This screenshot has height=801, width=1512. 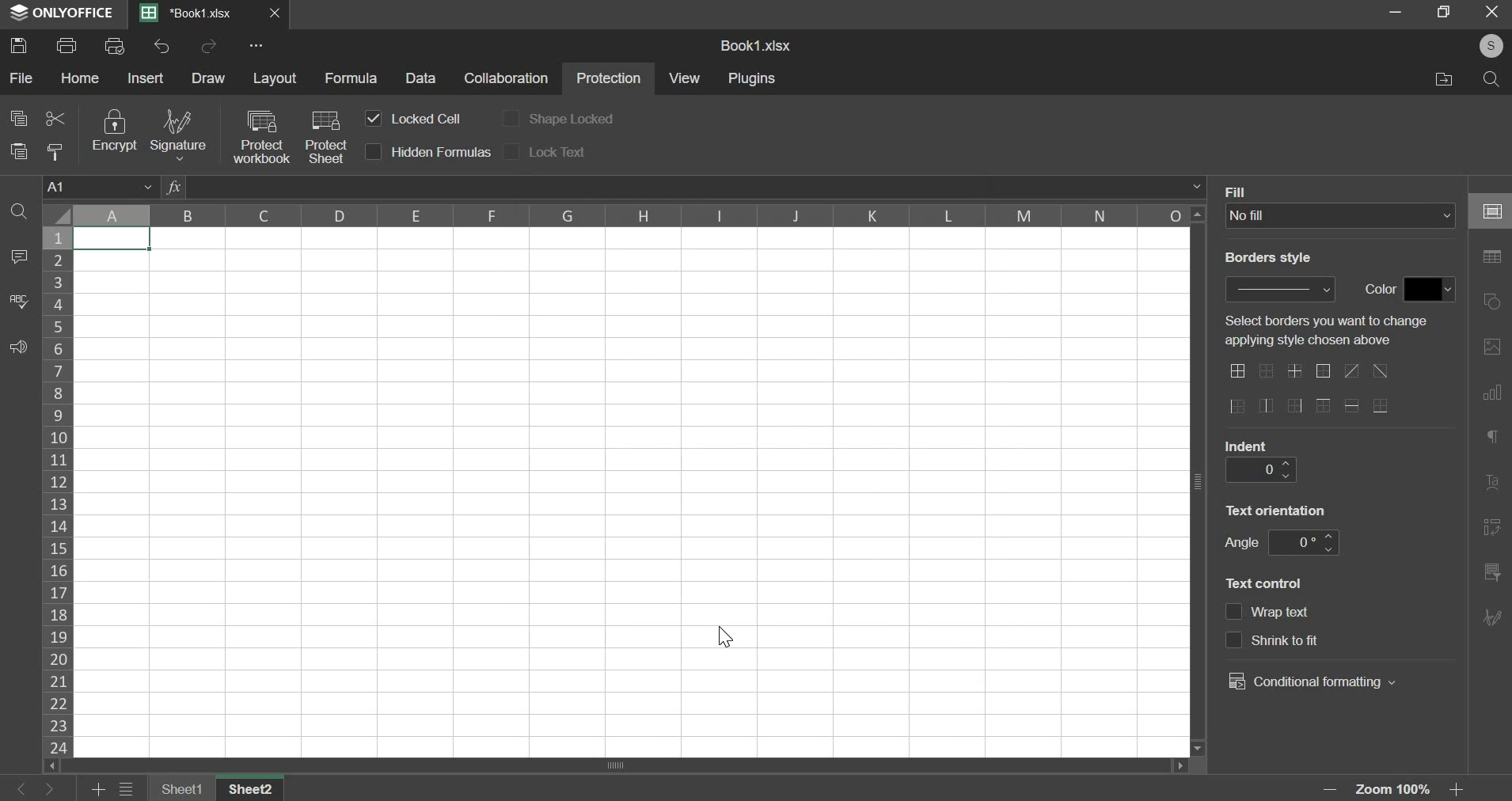 What do you see at coordinates (1259, 469) in the screenshot?
I see `indent` at bounding box center [1259, 469].